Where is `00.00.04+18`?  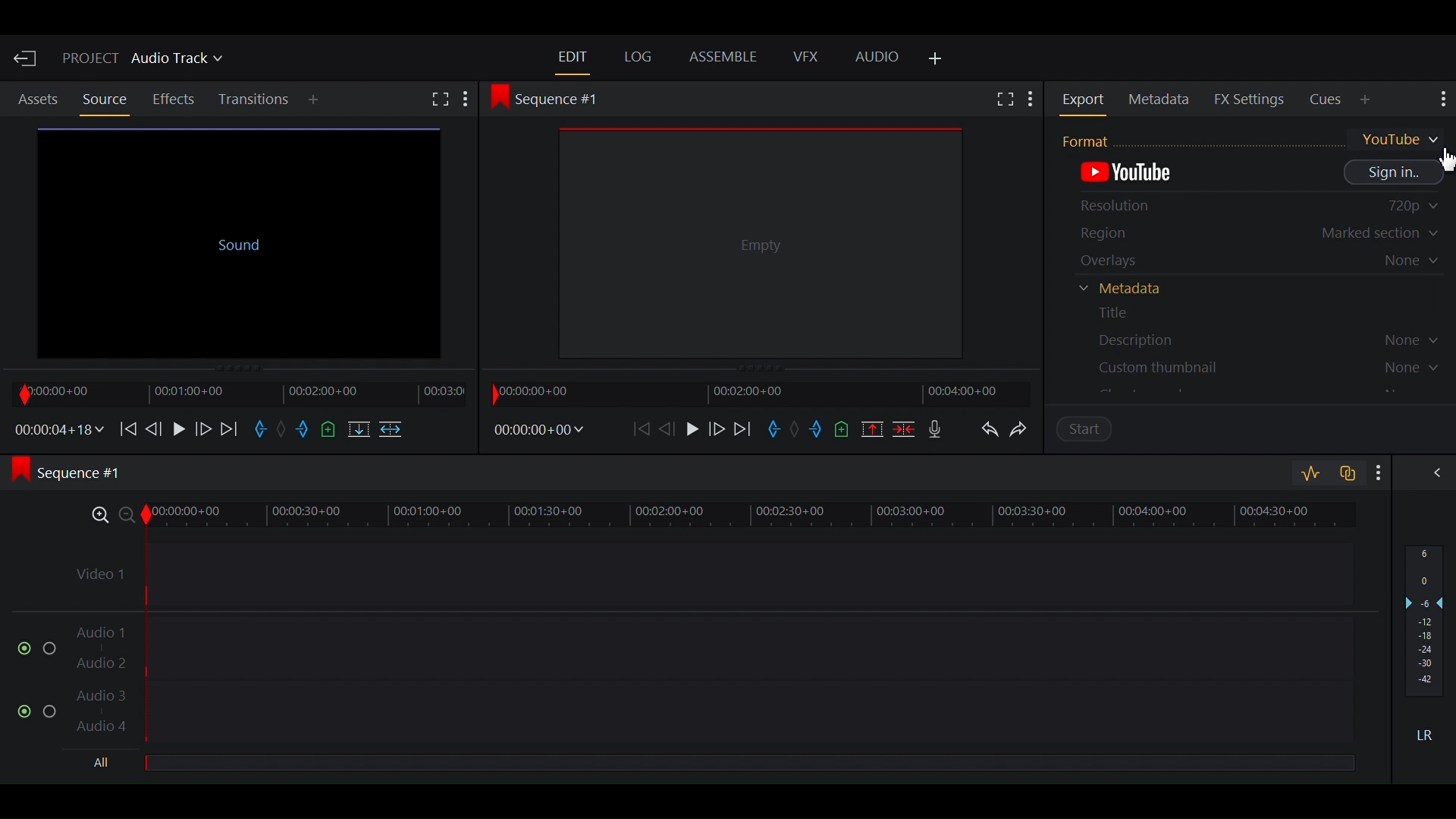
00.00.04+18 is located at coordinates (55, 429).